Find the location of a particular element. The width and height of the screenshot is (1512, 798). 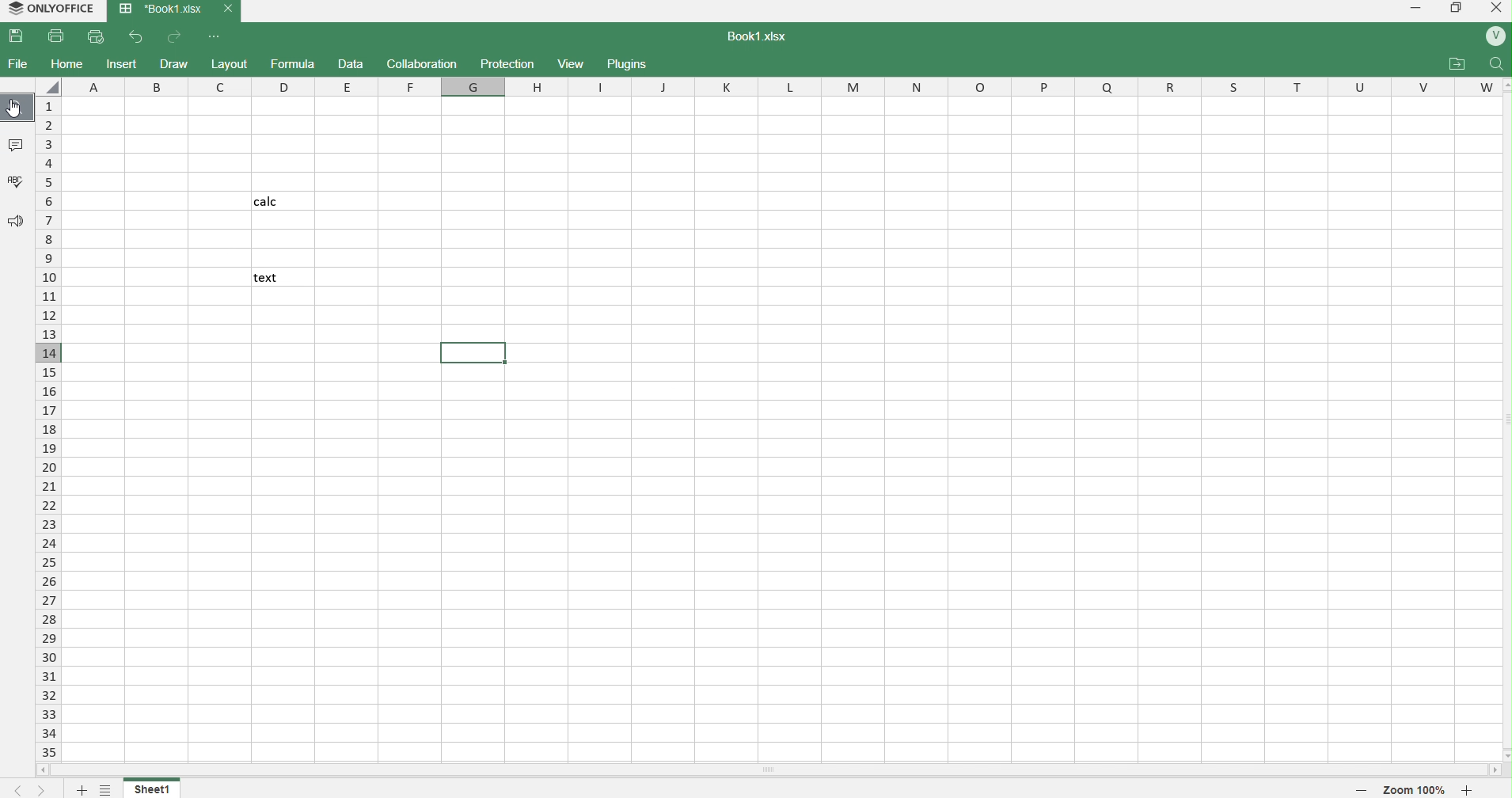

move up is located at coordinates (1503, 85).